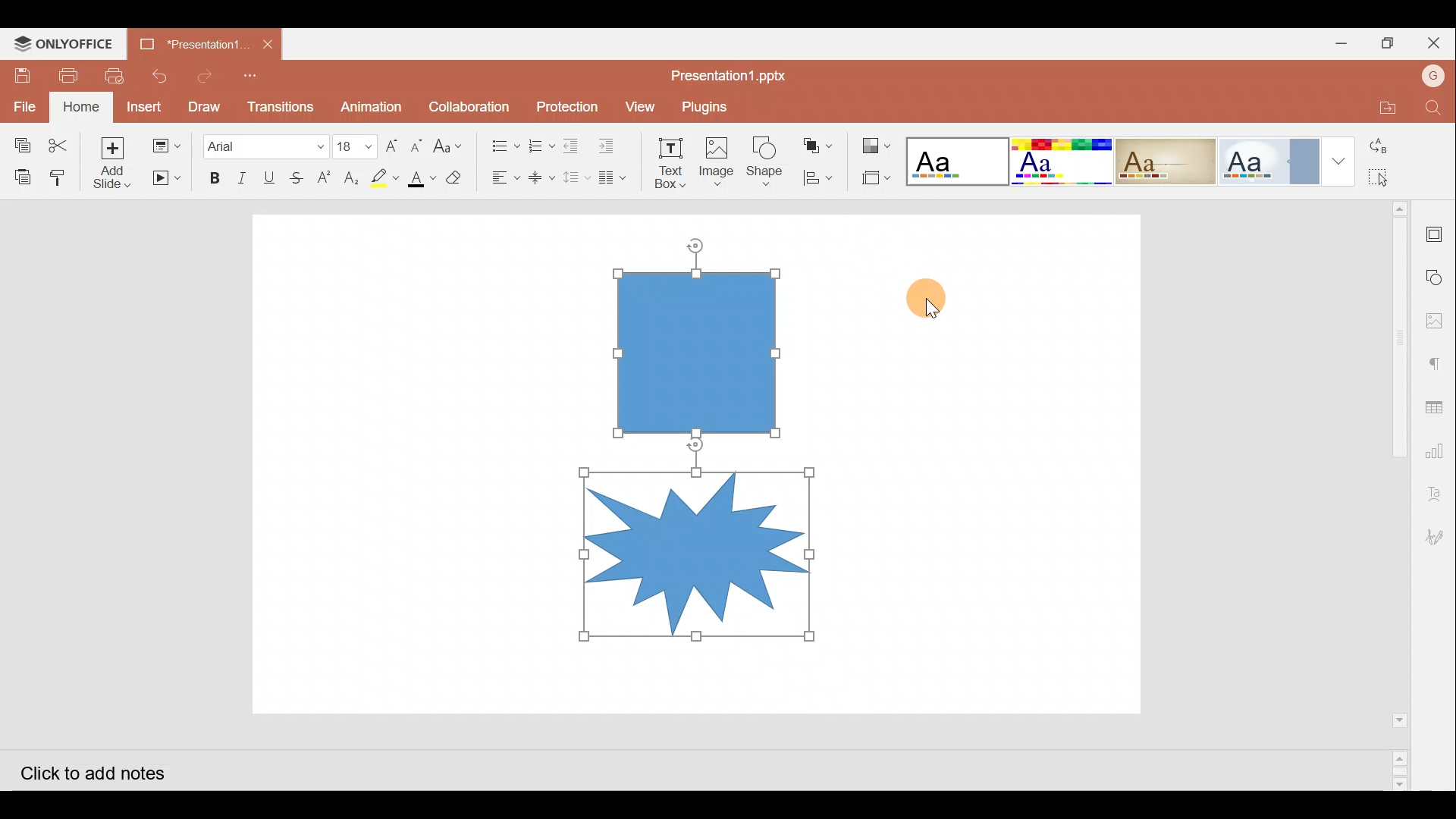 The image size is (1456, 819). Describe the element at coordinates (268, 44) in the screenshot. I see `Close document` at that location.